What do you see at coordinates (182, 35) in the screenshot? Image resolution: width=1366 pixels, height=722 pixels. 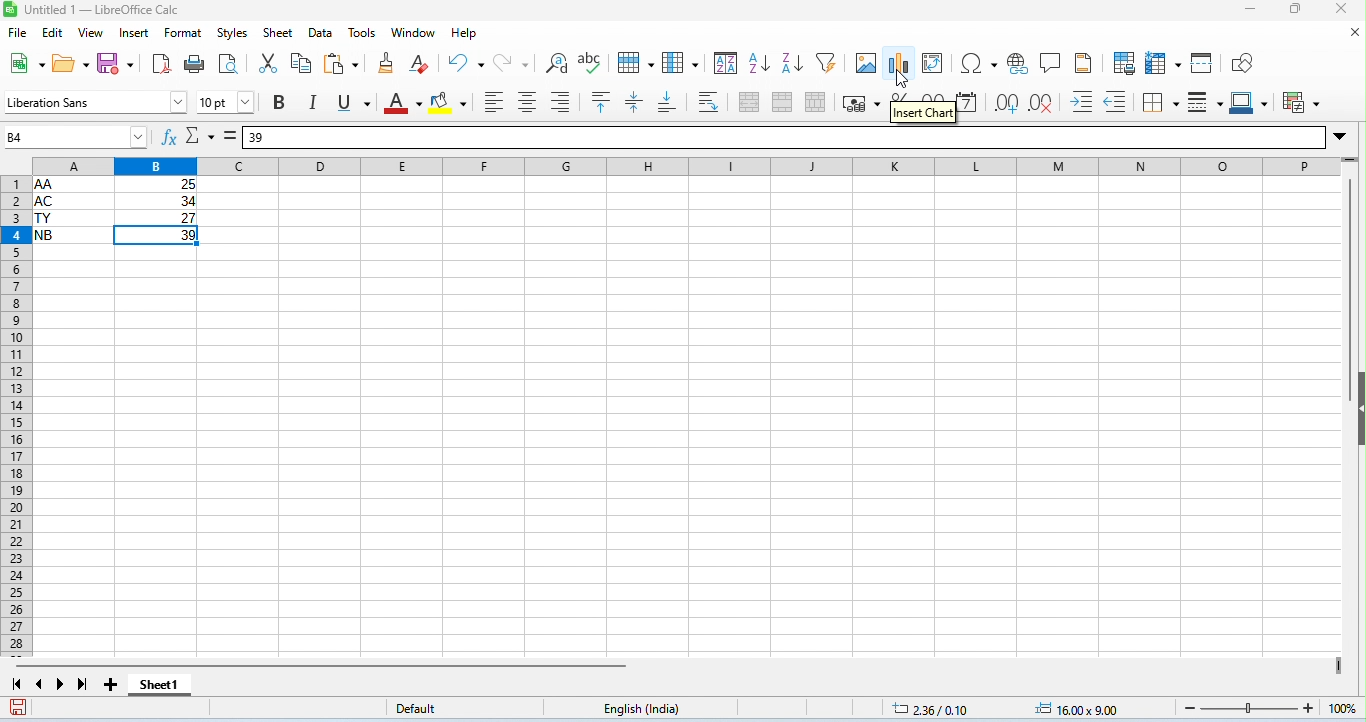 I see `format` at bounding box center [182, 35].